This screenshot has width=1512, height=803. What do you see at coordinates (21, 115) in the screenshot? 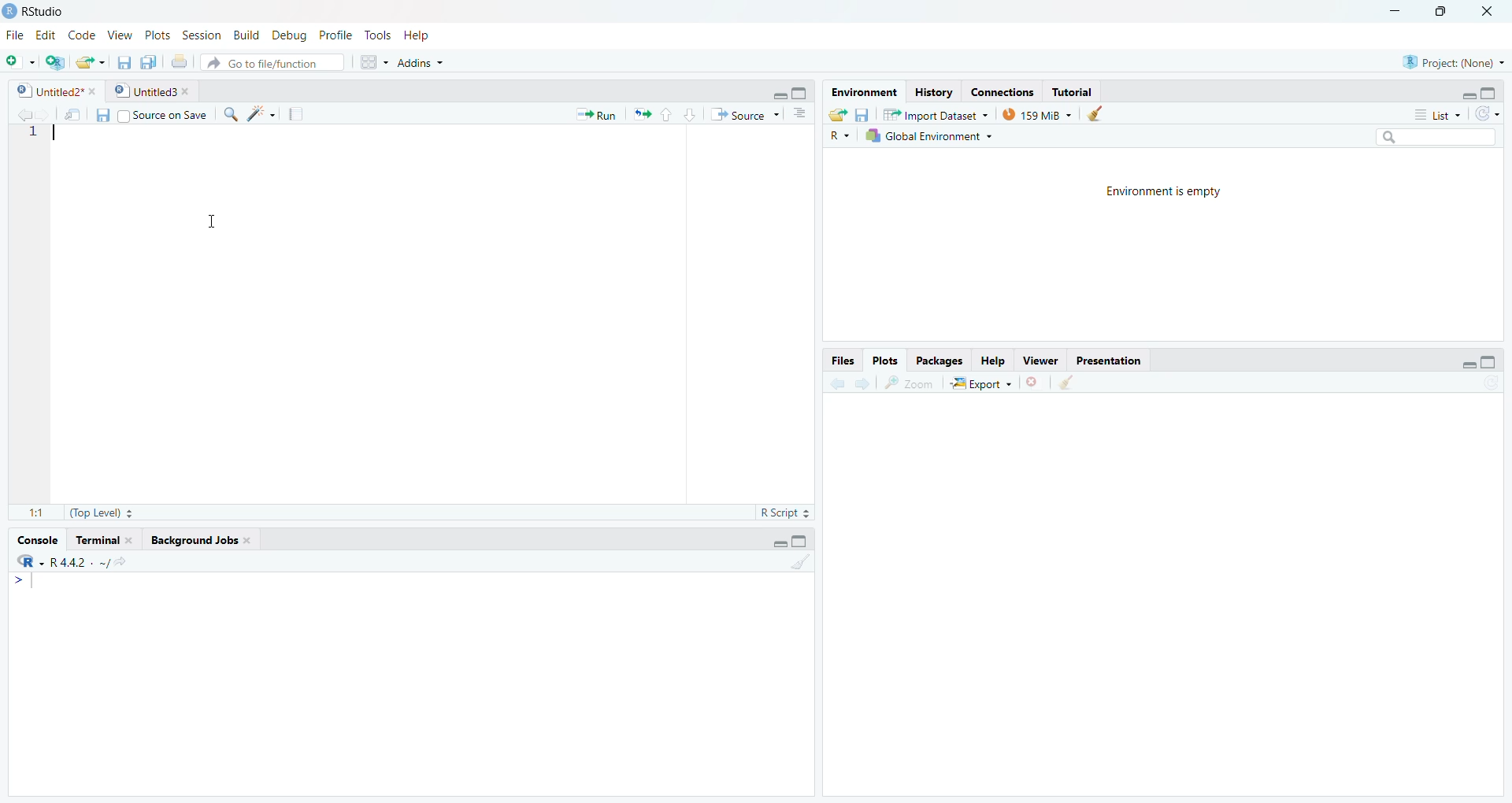
I see `Previous` at bounding box center [21, 115].